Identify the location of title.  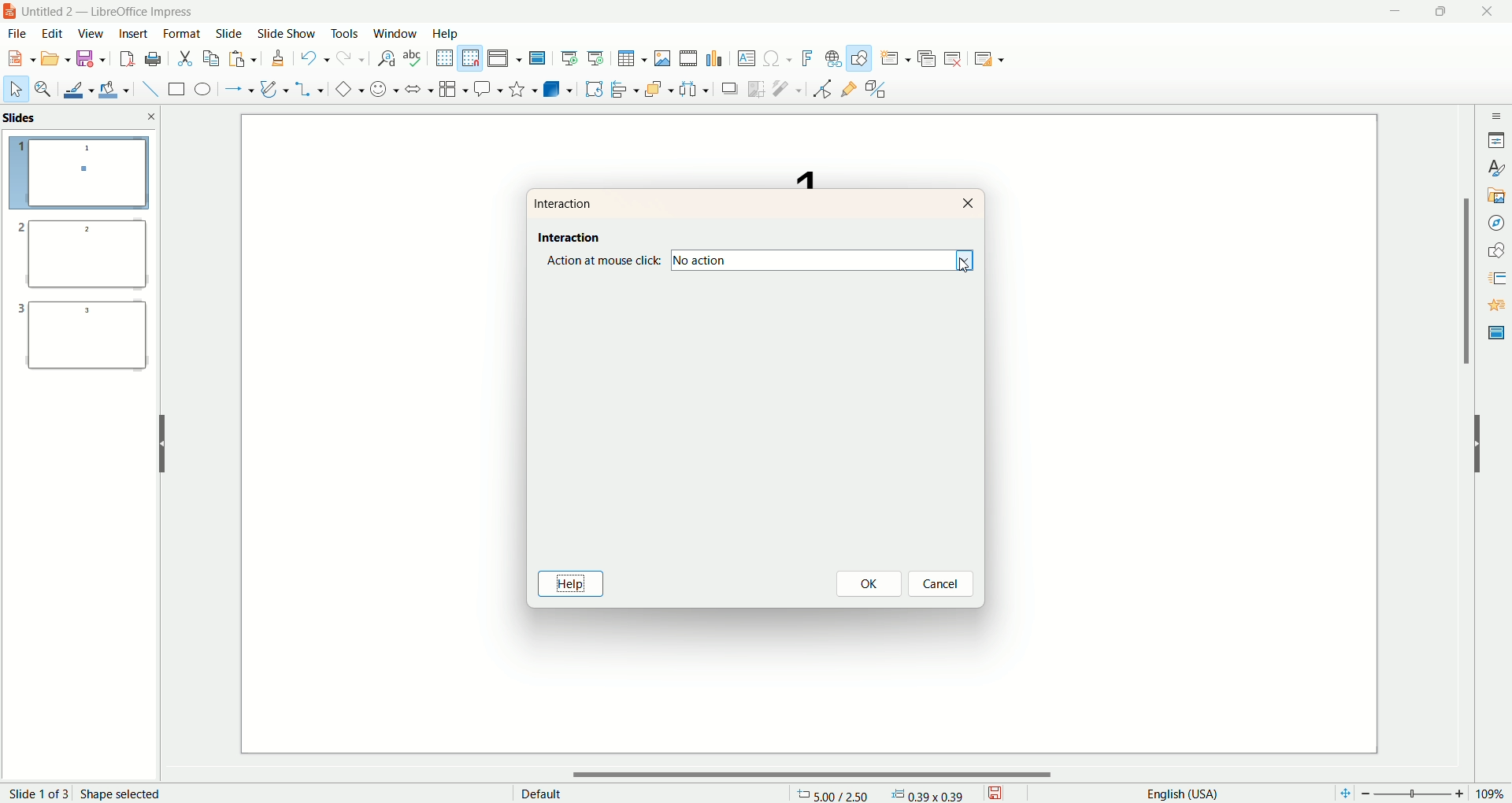
(116, 12).